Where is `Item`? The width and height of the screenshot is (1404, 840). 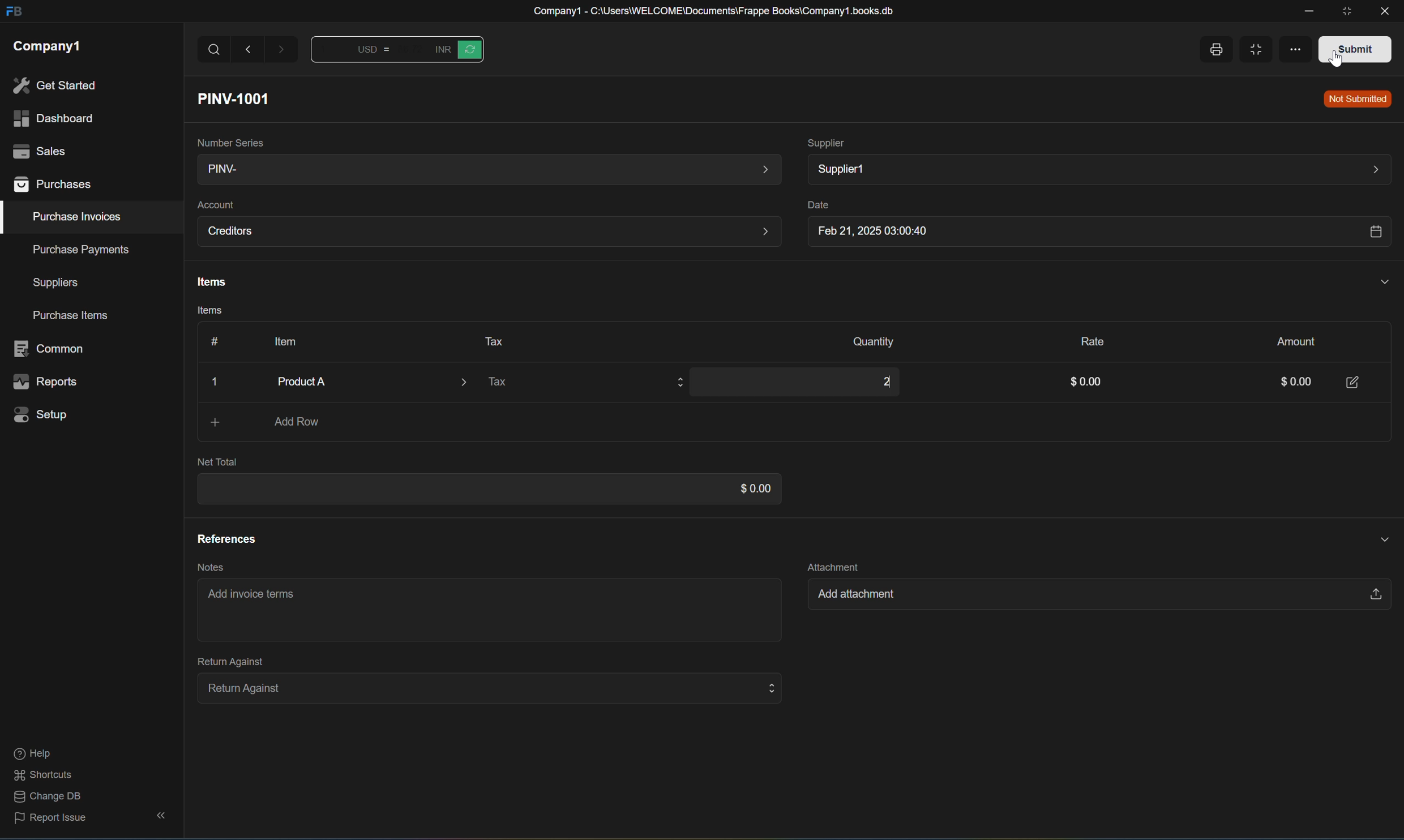
Item is located at coordinates (280, 341).